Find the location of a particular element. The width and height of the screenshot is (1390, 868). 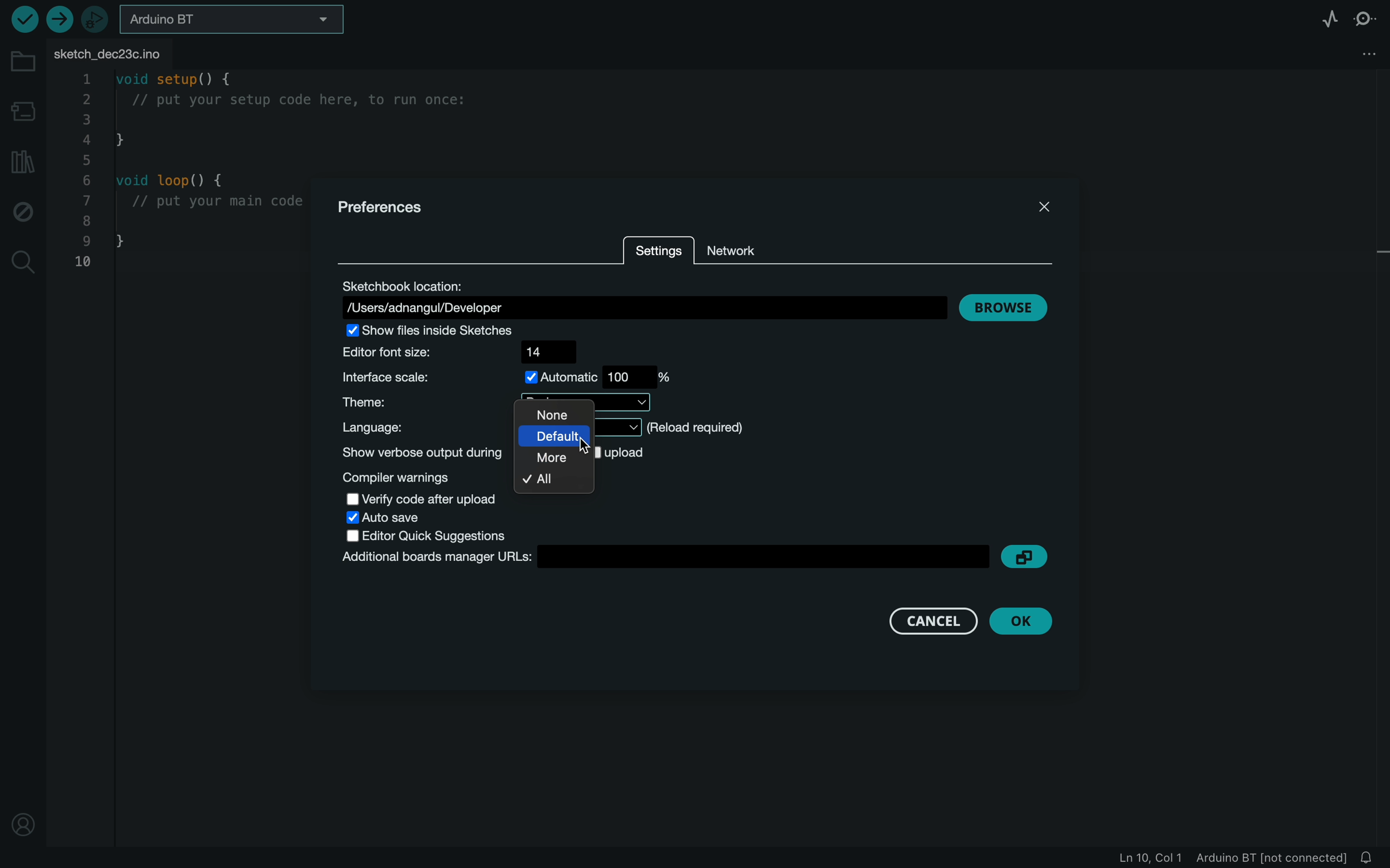

interface scale is located at coordinates (512, 379).